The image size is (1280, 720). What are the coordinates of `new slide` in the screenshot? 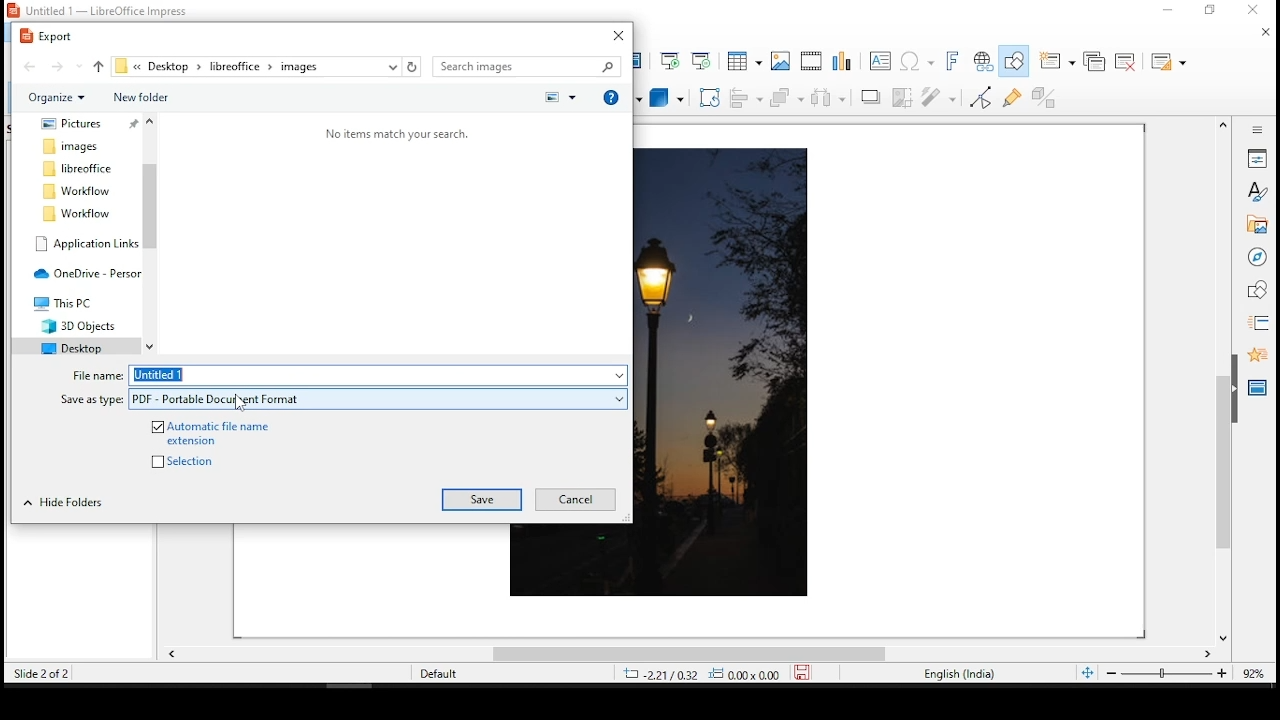 It's located at (1059, 60).